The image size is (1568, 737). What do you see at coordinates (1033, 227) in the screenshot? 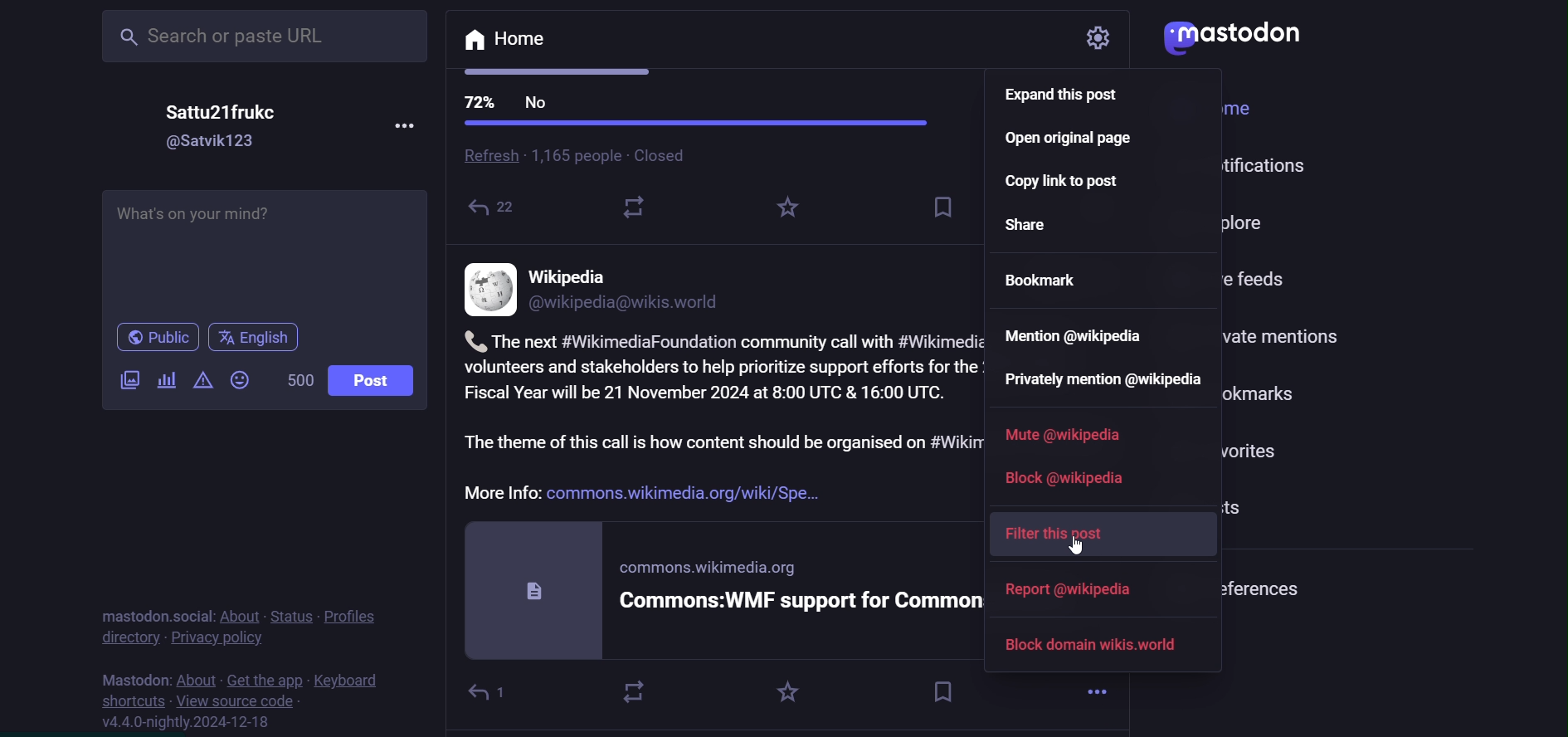
I see `share` at bounding box center [1033, 227].